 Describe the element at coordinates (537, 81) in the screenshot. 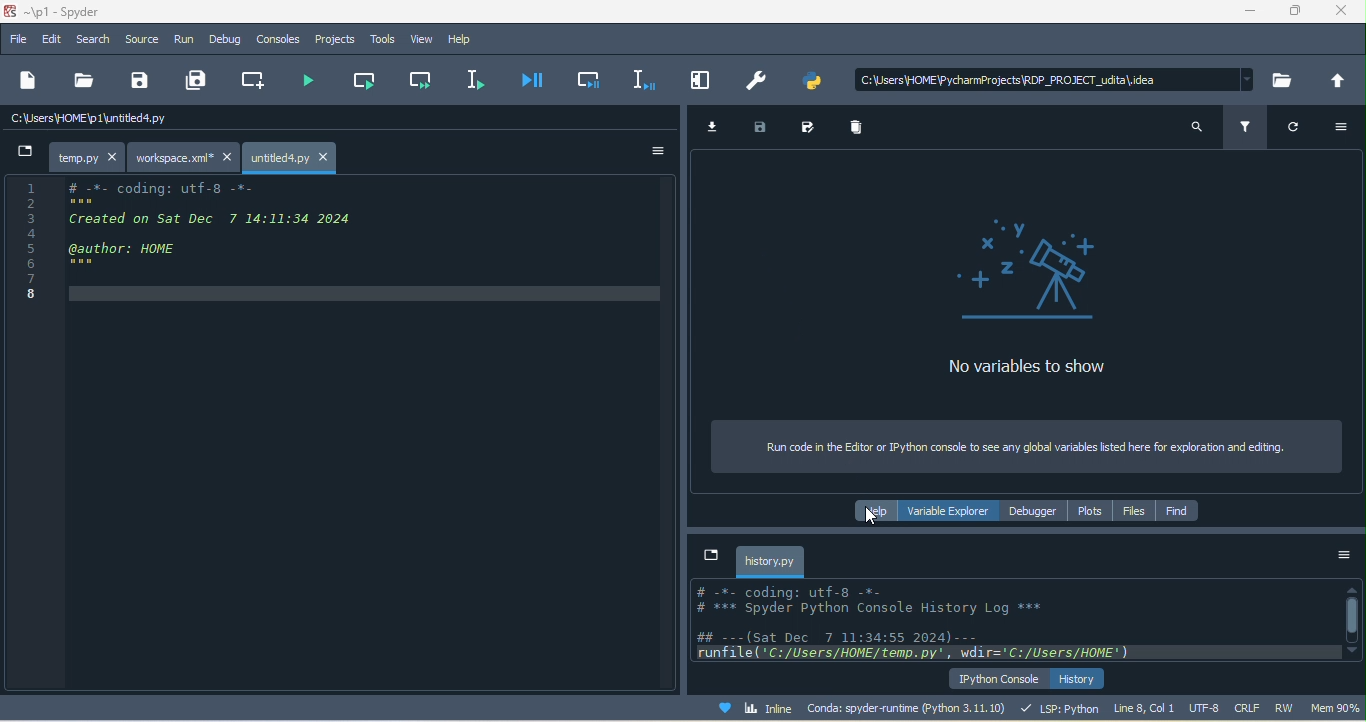

I see `debug file` at that location.